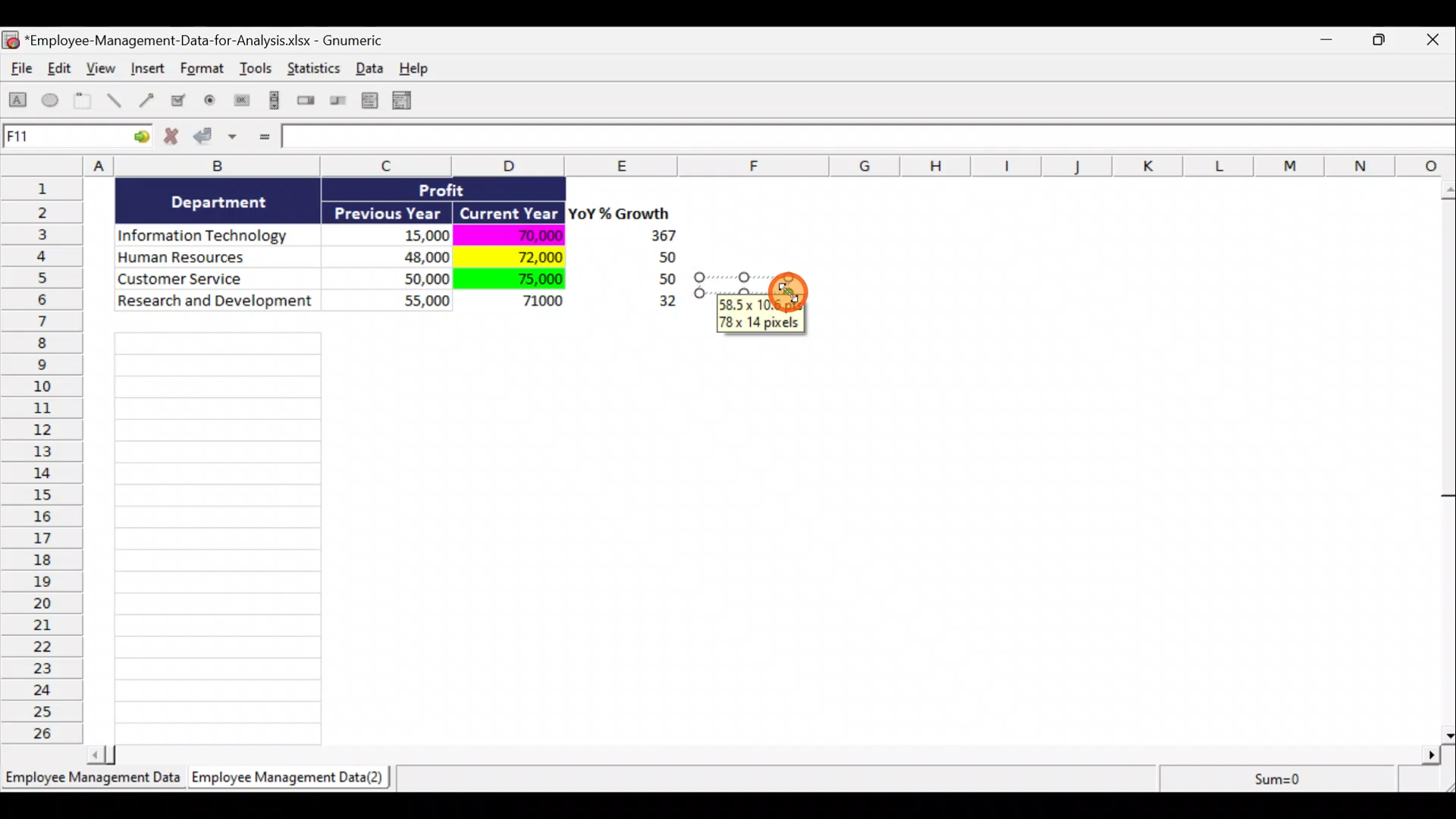 Image resolution: width=1456 pixels, height=819 pixels. What do you see at coordinates (307, 102) in the screenshot?
I see `Create a spin button` at bounding box center [307, 102].